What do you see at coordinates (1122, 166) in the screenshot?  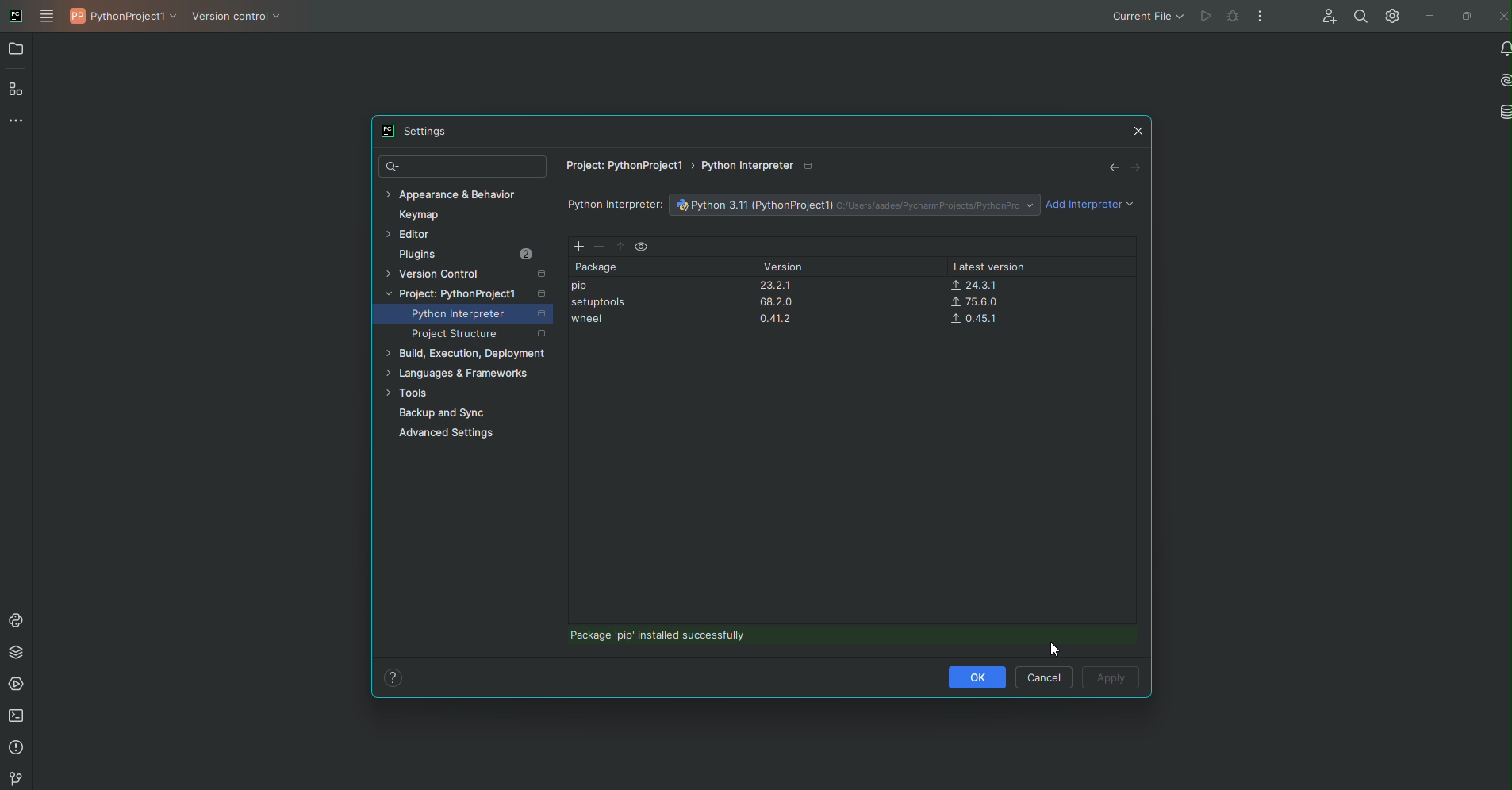 I see `Navigation` at bounding box center [1122, 166].